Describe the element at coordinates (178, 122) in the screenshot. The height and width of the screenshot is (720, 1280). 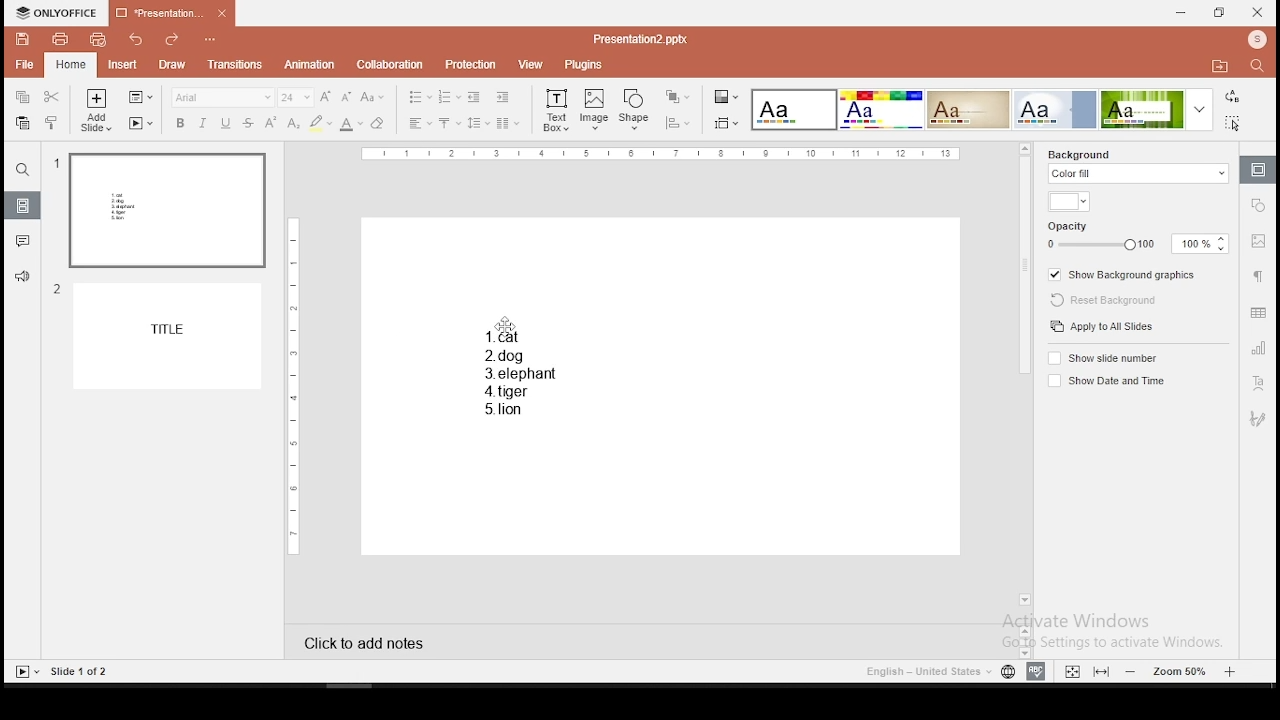
I see `bold` at that location.